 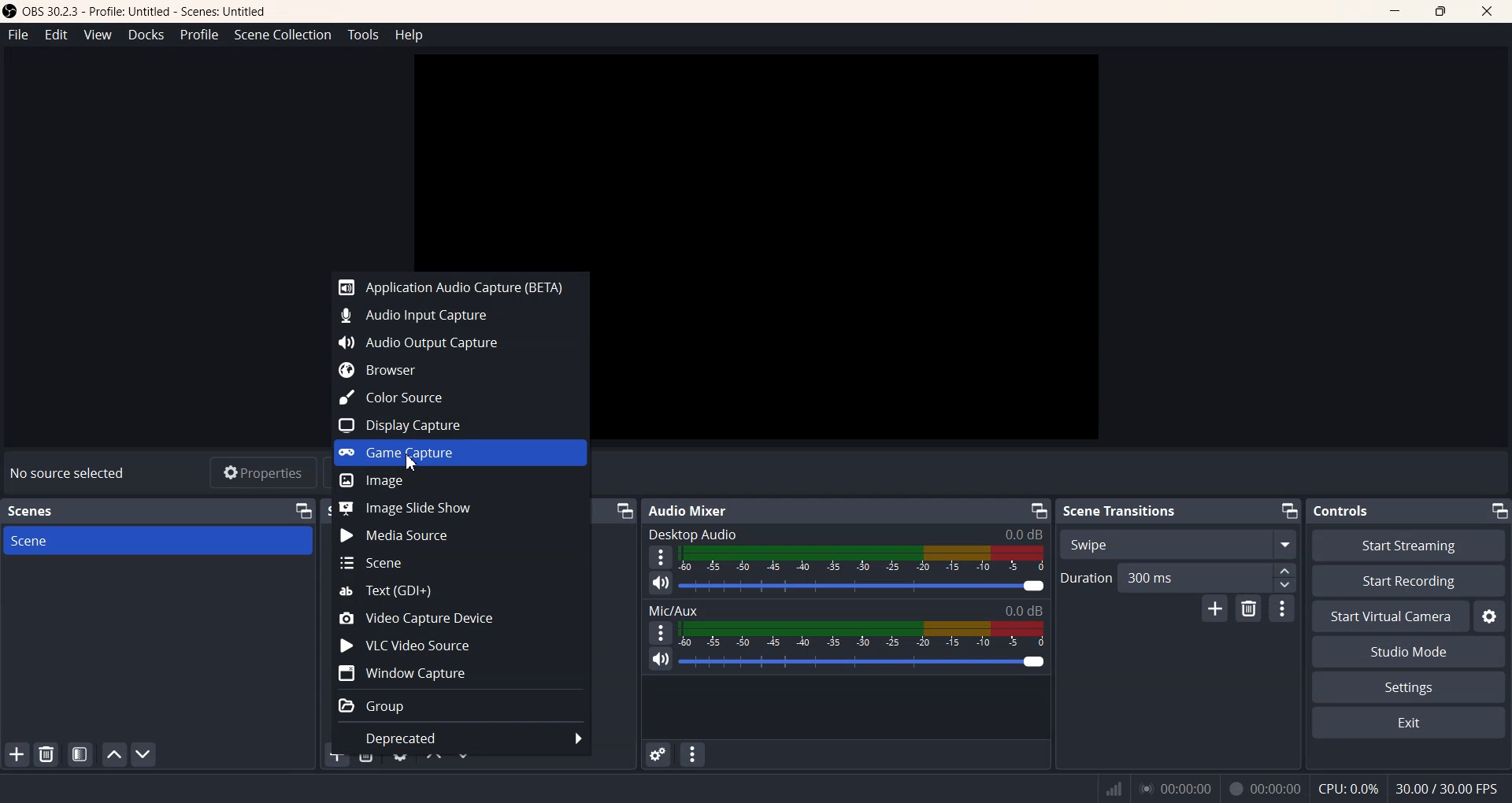 I want to click on Remove Configurable transition, so click(x=1247, y=609).